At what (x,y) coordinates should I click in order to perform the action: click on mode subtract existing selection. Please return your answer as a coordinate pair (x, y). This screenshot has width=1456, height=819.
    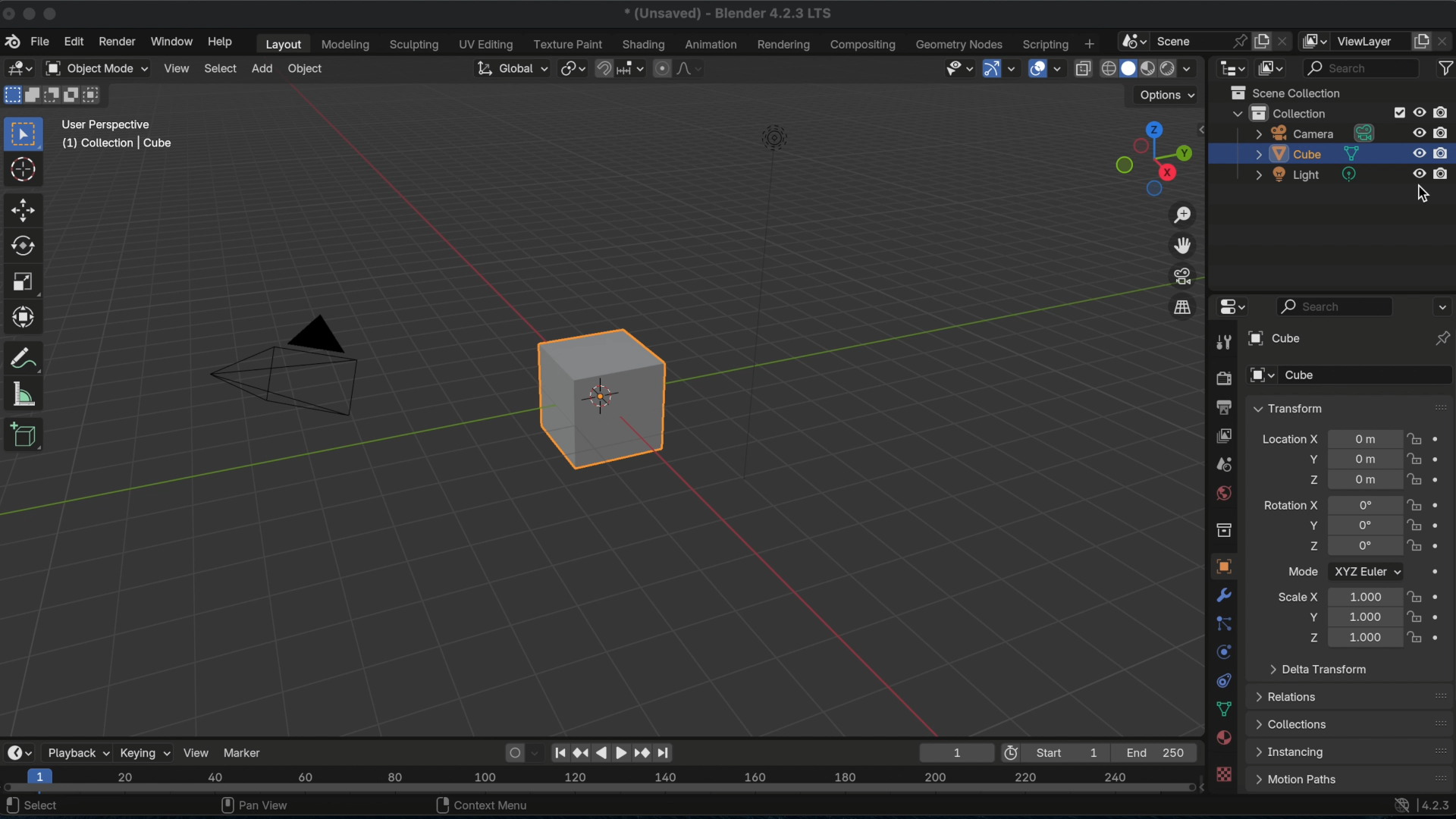
    Looking at the image, I should click on (52, 98).